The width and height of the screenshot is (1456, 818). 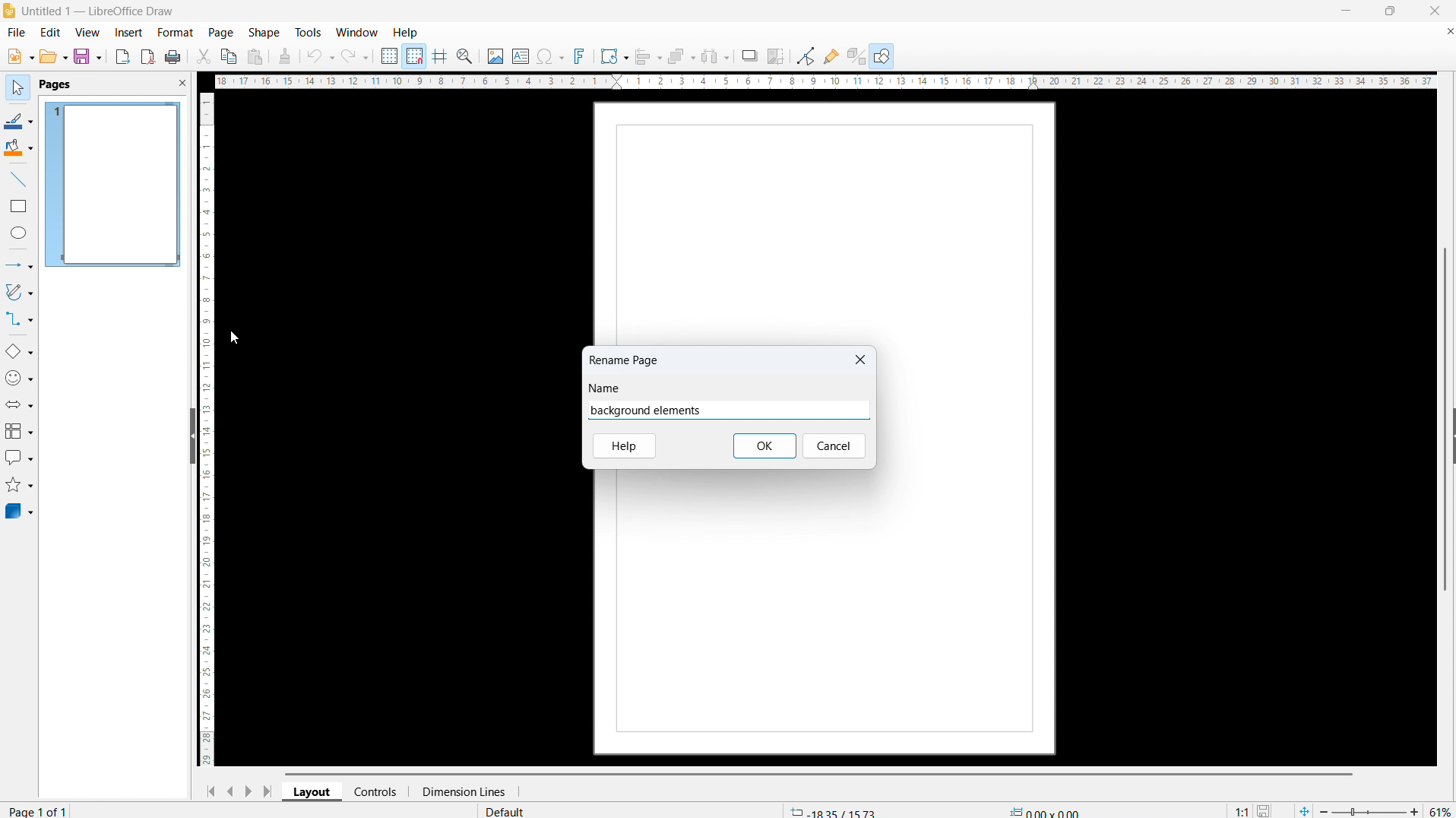 I want to click on file, so click(x=17, y=33).